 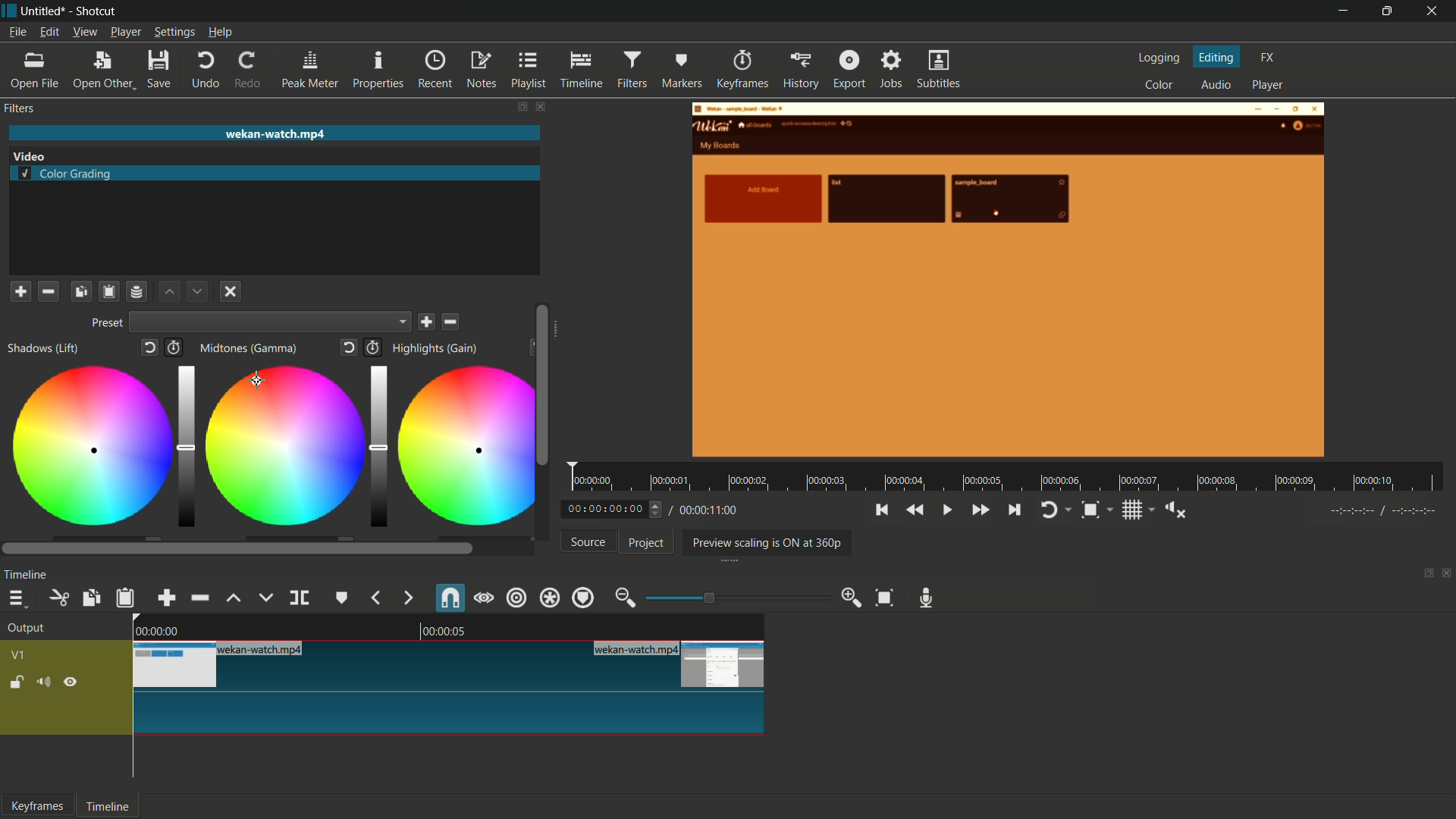 What do you see at coordinates (624, 597) in the screenshot?
I see `zoom out` at bounding box center [624, 597].